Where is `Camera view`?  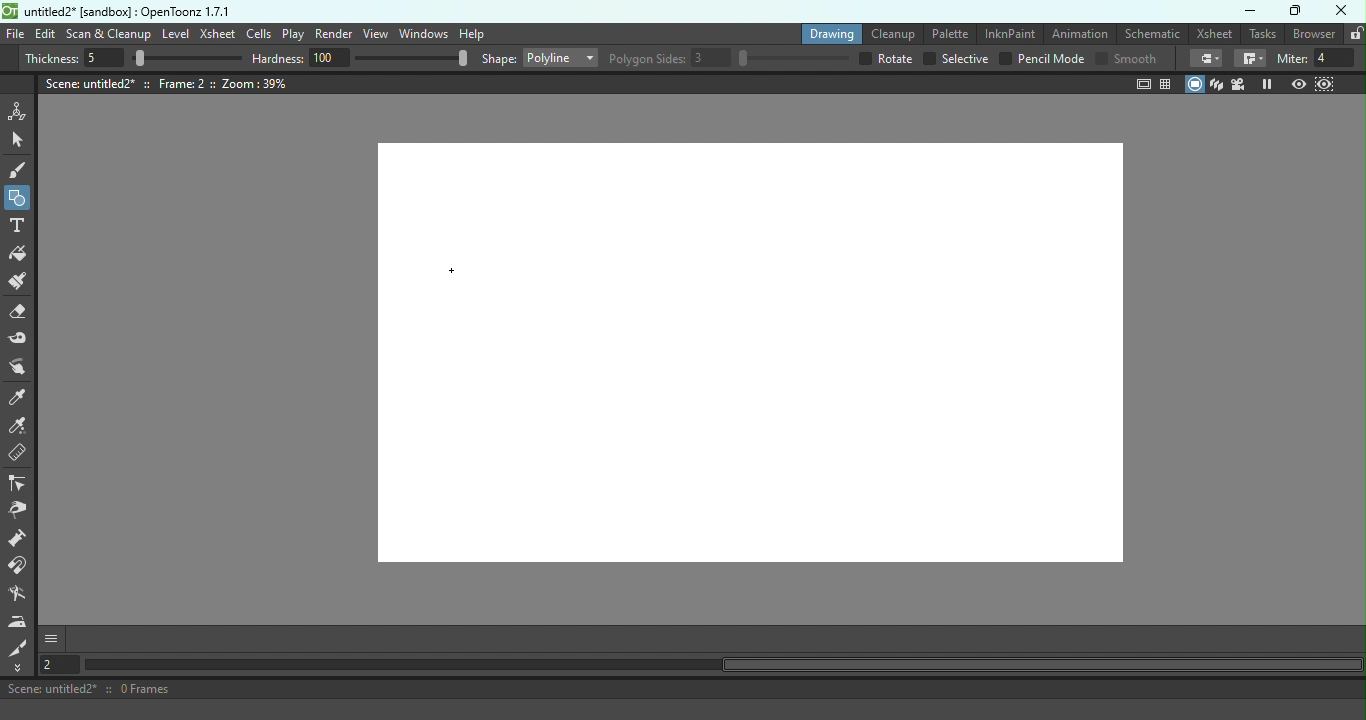 Camera view is located at coordinates (1241, 84).